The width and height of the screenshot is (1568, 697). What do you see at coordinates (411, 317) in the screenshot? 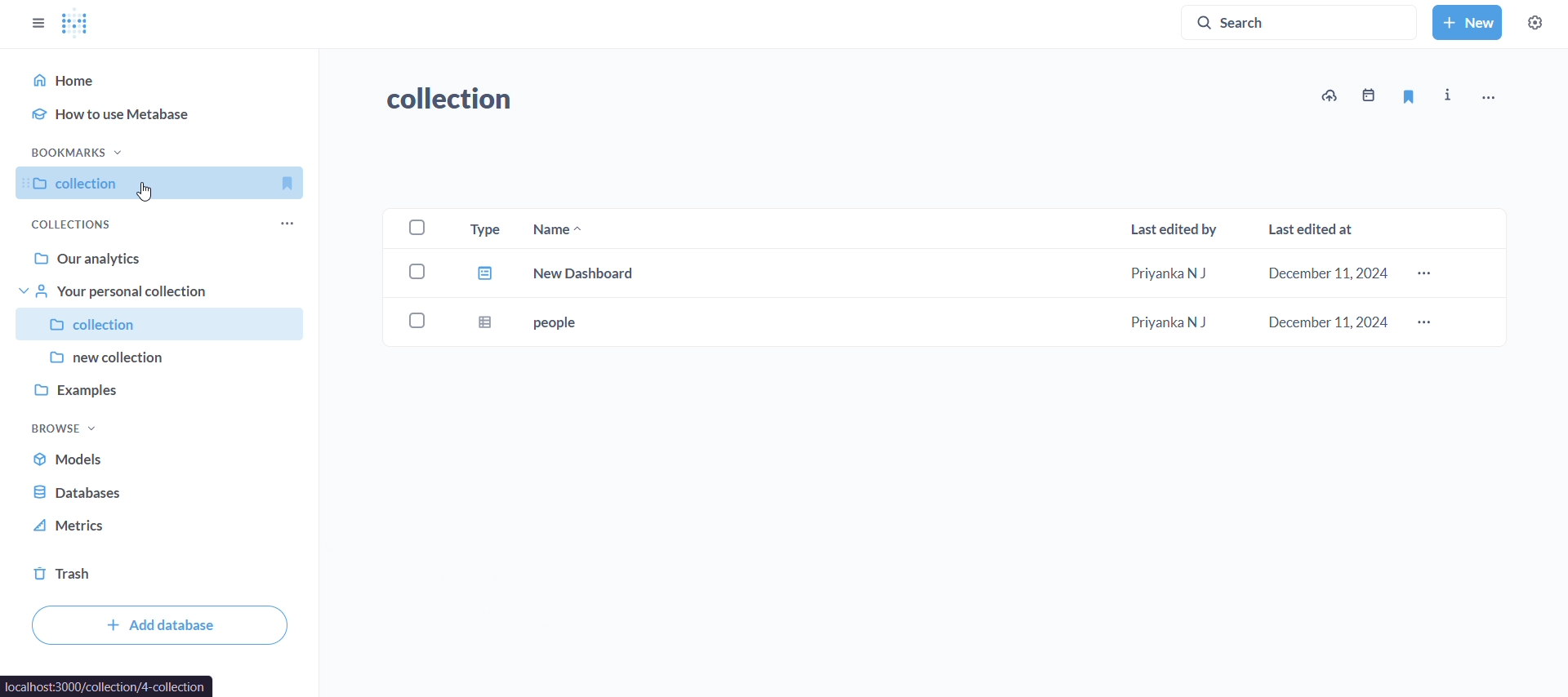
I see `select checkbox` at bounding box center [411, 317].